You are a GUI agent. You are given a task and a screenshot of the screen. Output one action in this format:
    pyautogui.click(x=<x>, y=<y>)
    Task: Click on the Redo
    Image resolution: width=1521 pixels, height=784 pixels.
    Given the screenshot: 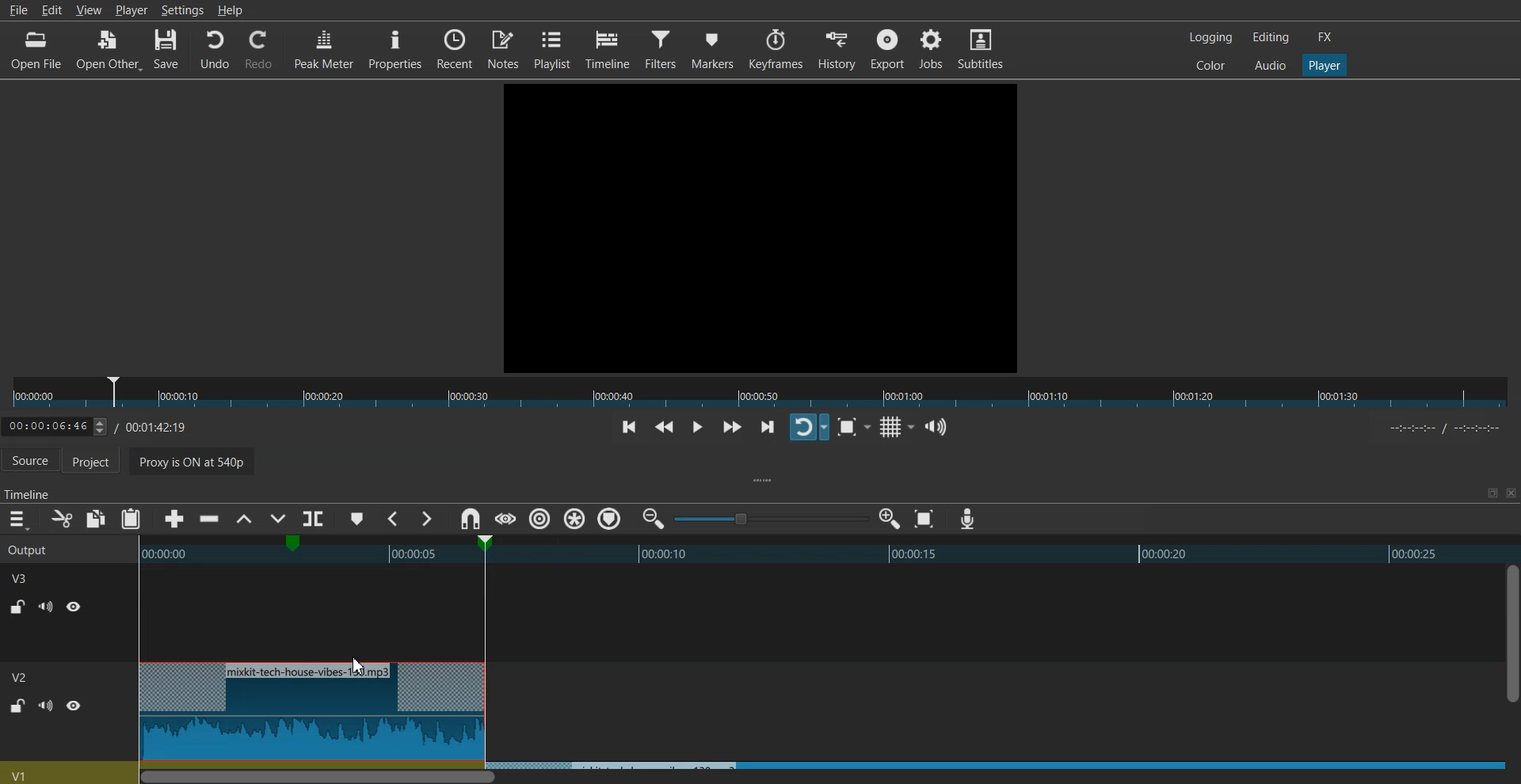 What is the action you would take?
    pyautogui.click(x=259, y=50)
    